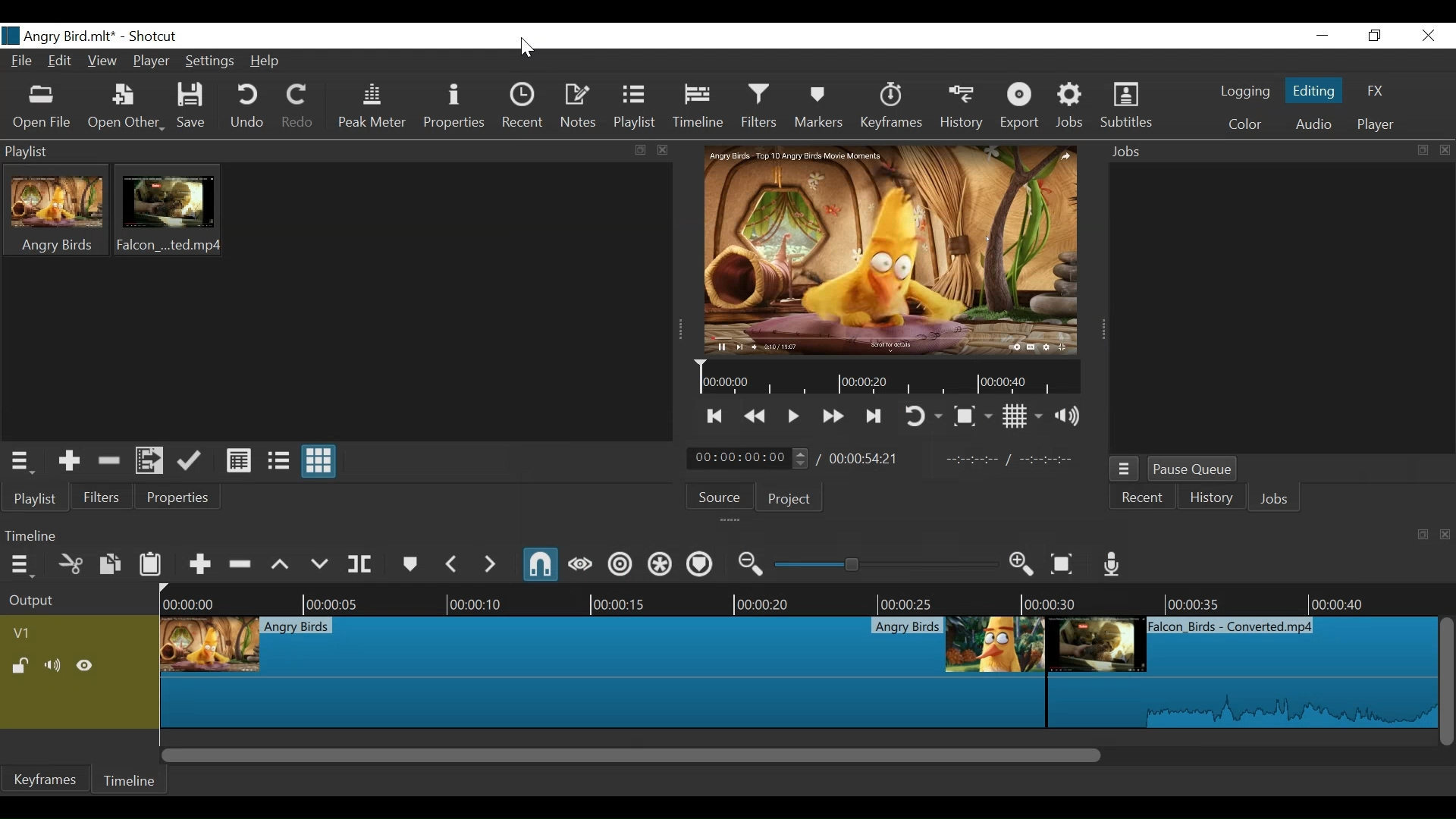 The image size is (1456, 819). What do you see at coordinates (635, 107) in the screenshot?
I see `Playlist` at bounding box center [635, 107].